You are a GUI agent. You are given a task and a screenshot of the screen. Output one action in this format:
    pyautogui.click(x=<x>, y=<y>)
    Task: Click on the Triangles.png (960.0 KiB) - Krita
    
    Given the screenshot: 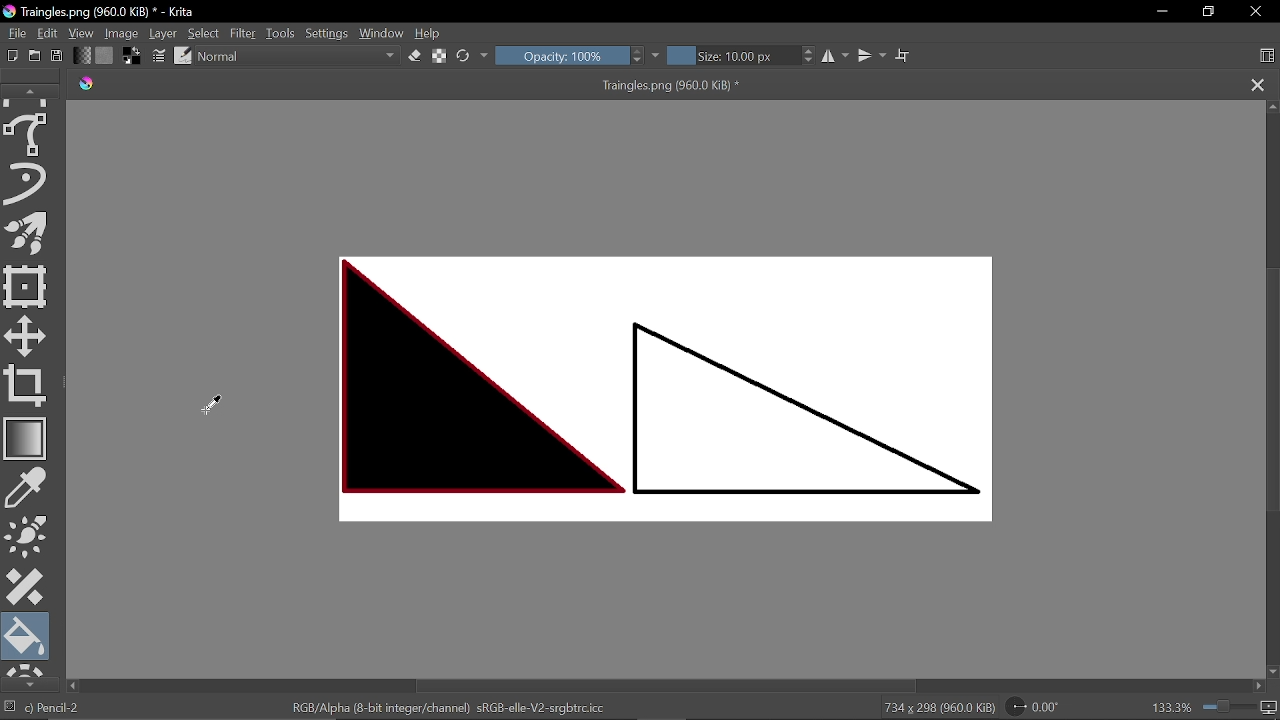 What is the action you would take?
    pyautogui.click(x=127, y=12)
    